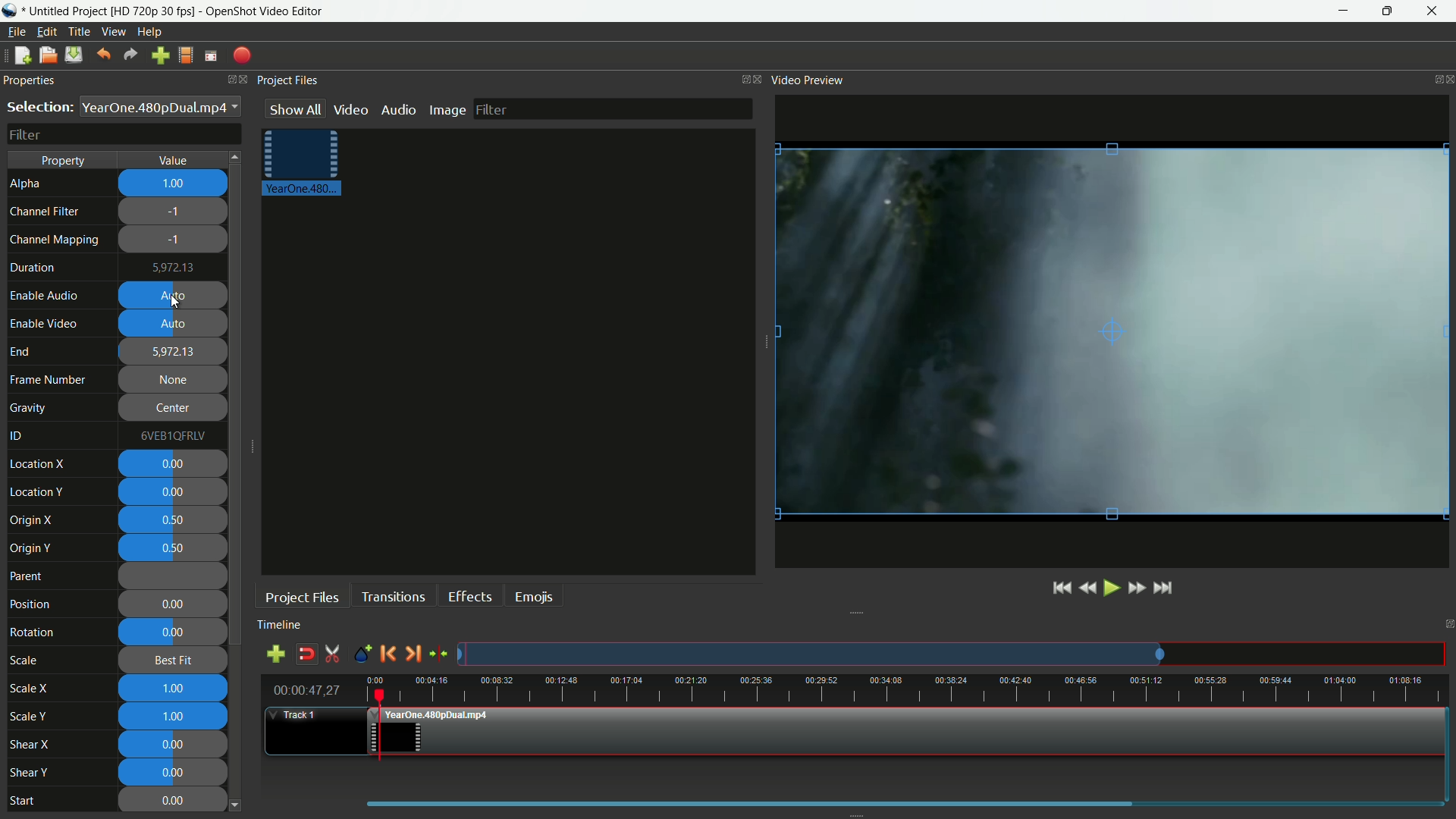 Image resolution: width=1456 pixels, height=819 pixels. Describe the element at coordinates (113, 33) in the screenshot. I see `view menu` at that location.